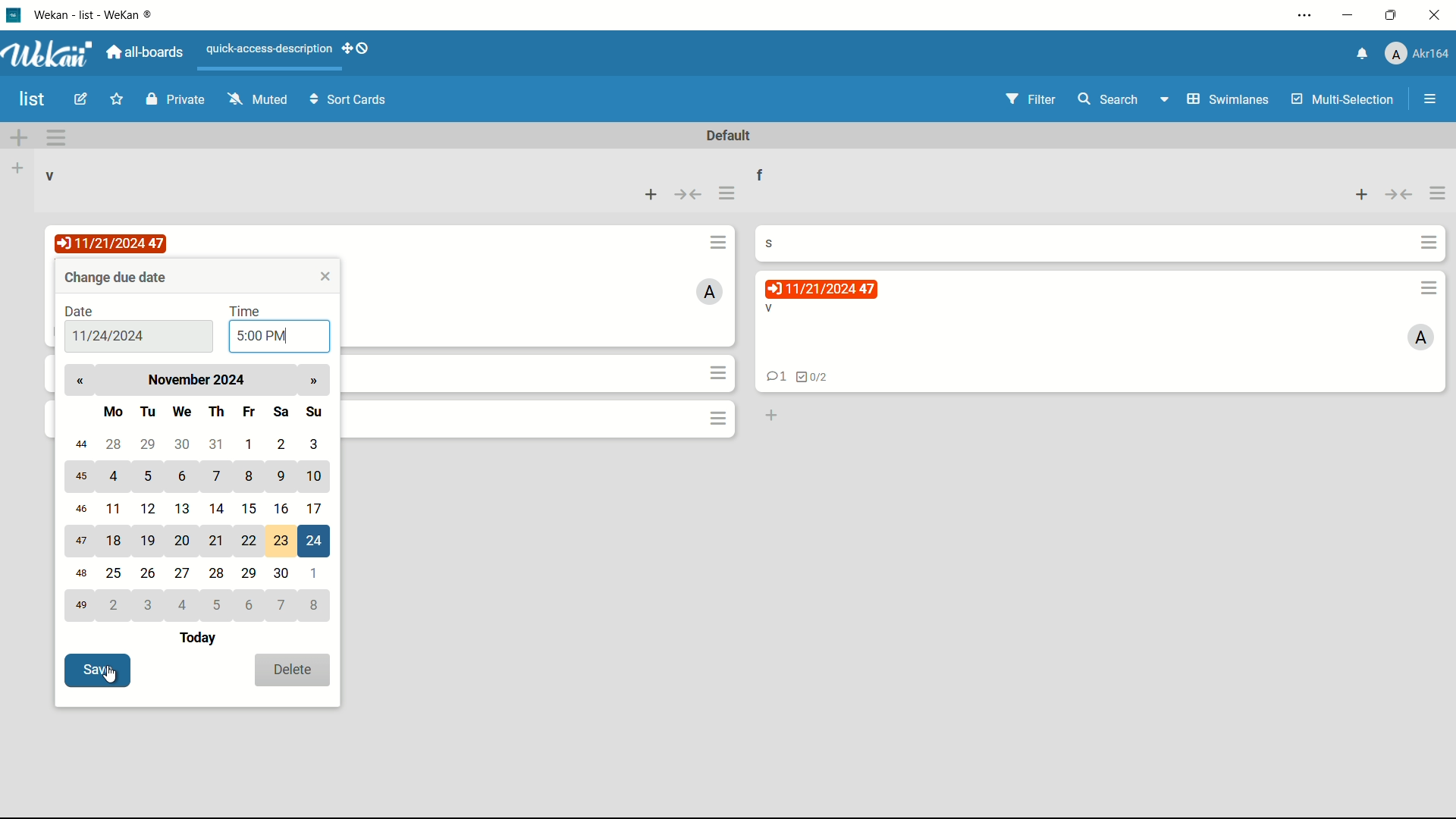  I want to click on 46, so click(80, 508).